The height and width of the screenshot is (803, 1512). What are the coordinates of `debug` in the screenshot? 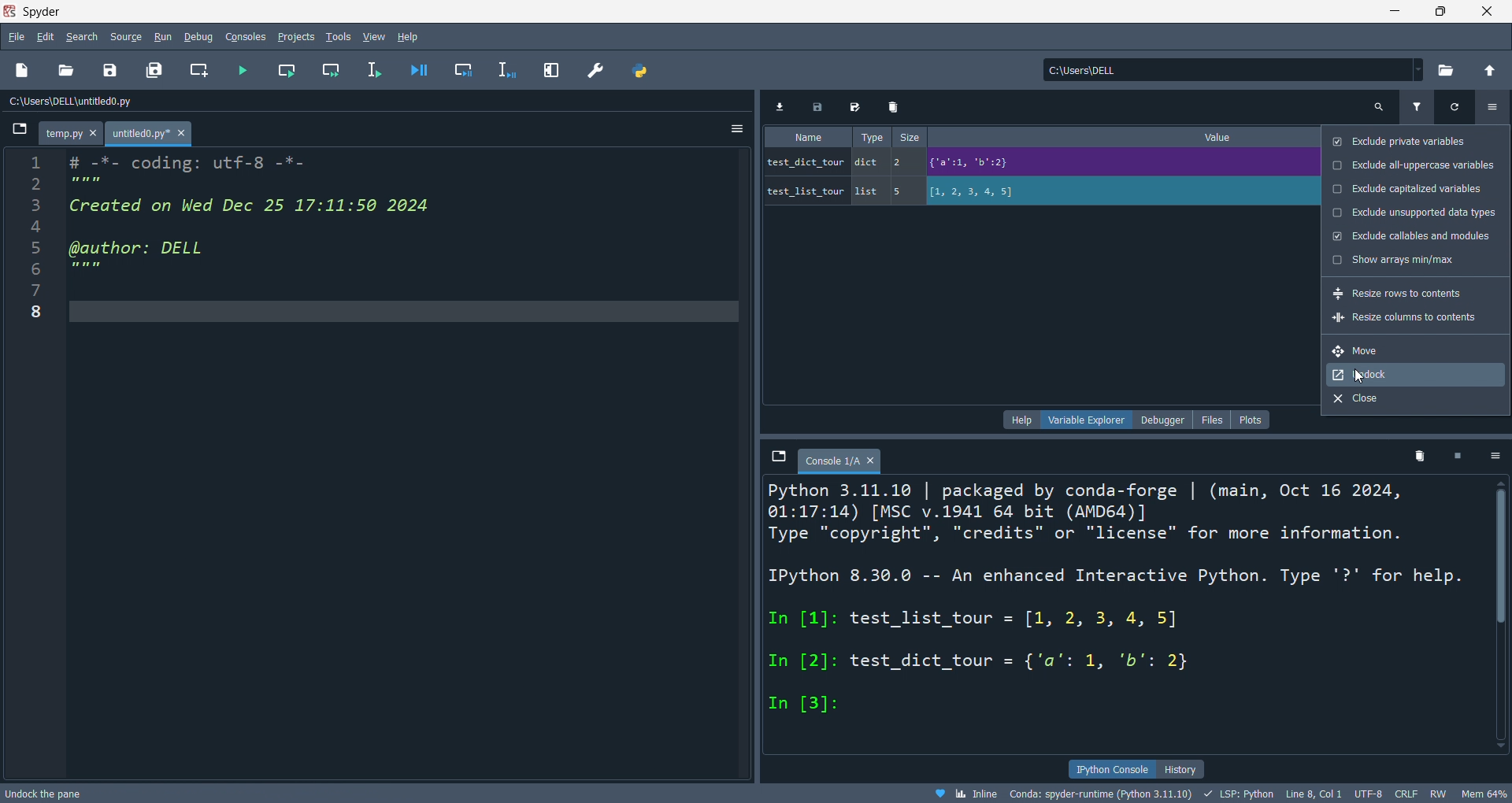 It's located at (198, 36).